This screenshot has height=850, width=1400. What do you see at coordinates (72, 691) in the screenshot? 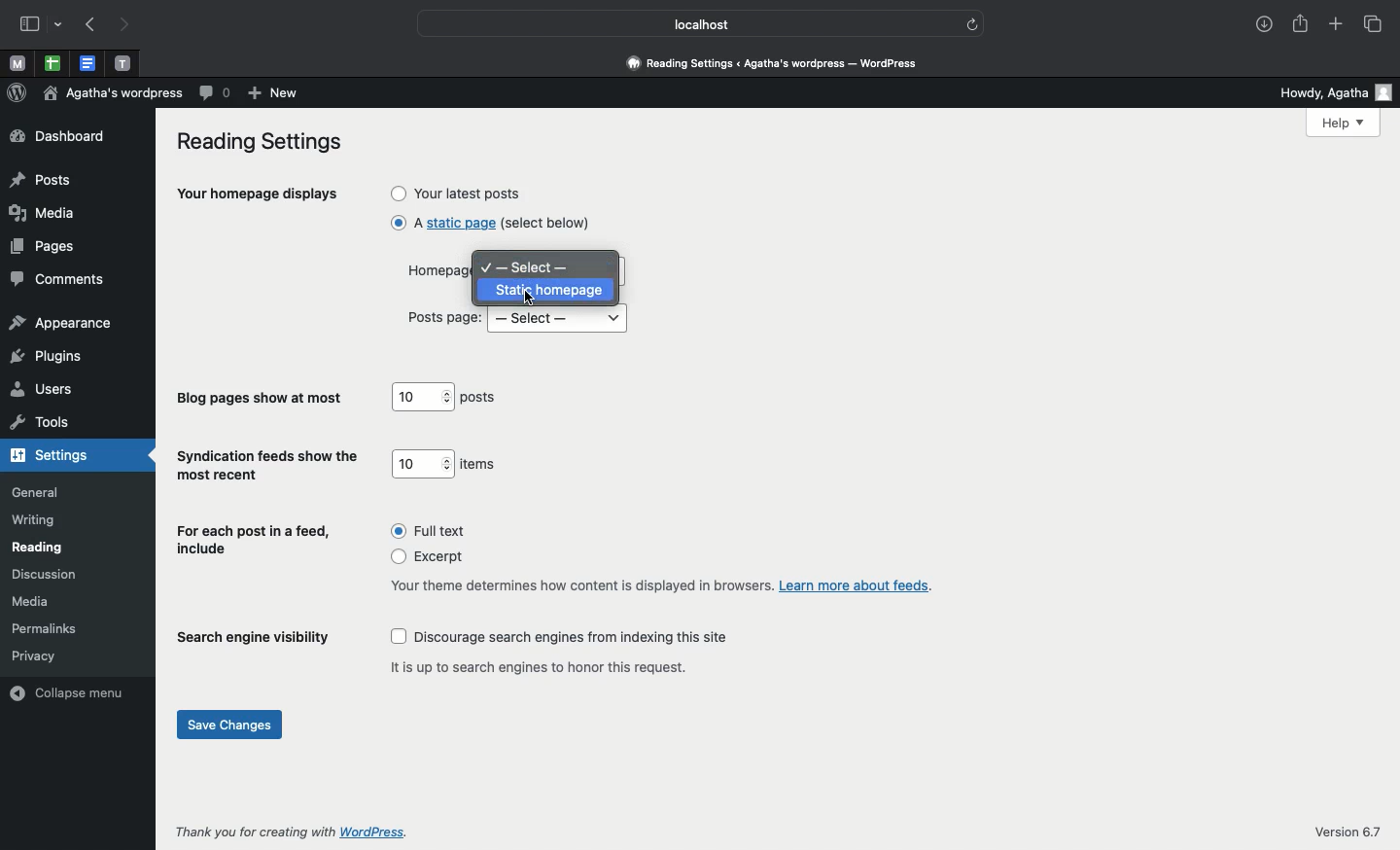
I see `collapse menu` at bounding box center [72, 691].